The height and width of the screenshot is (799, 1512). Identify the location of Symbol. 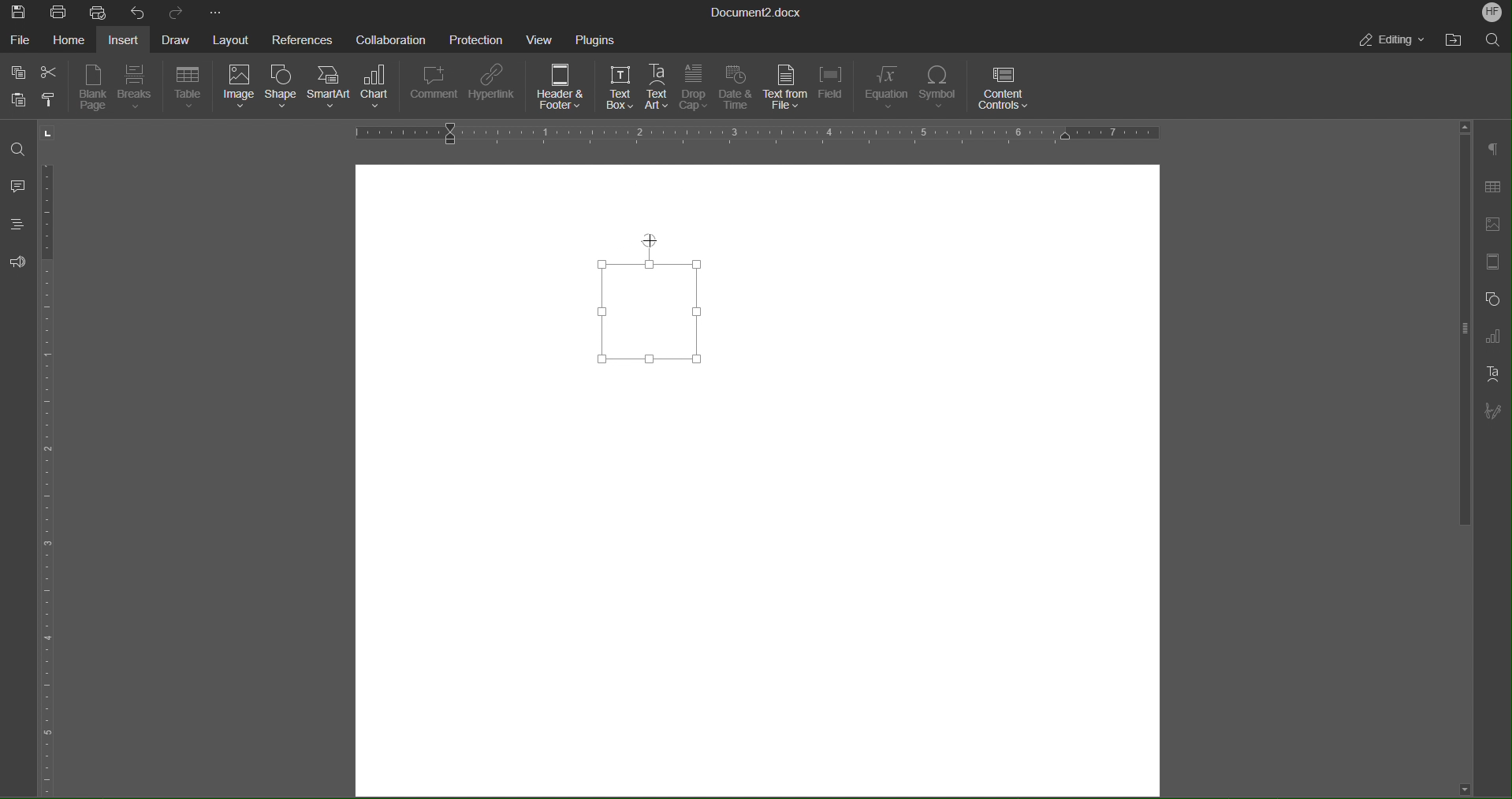
(940, 88).